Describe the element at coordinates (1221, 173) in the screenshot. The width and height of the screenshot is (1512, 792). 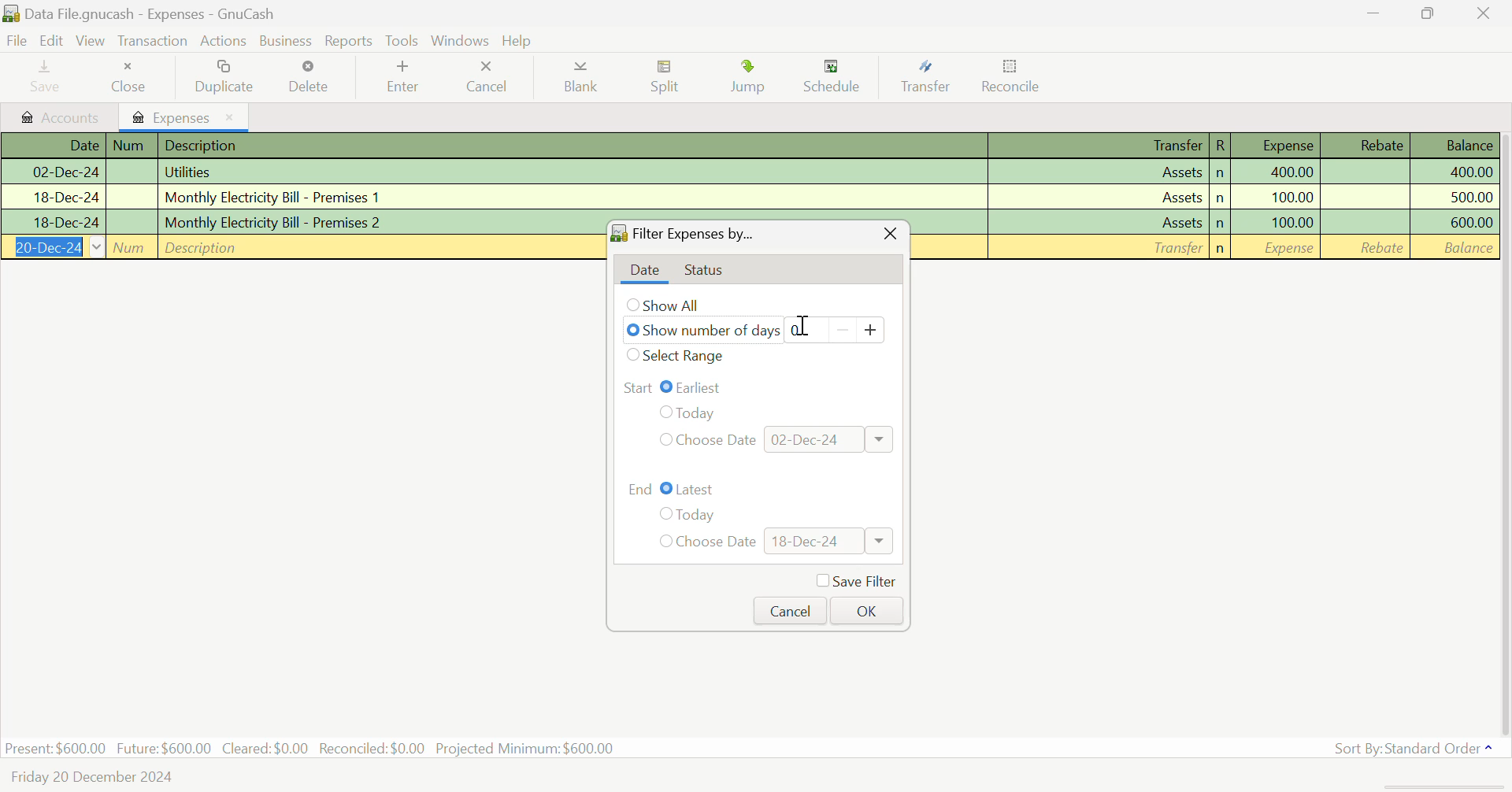
I see `n` at that location.